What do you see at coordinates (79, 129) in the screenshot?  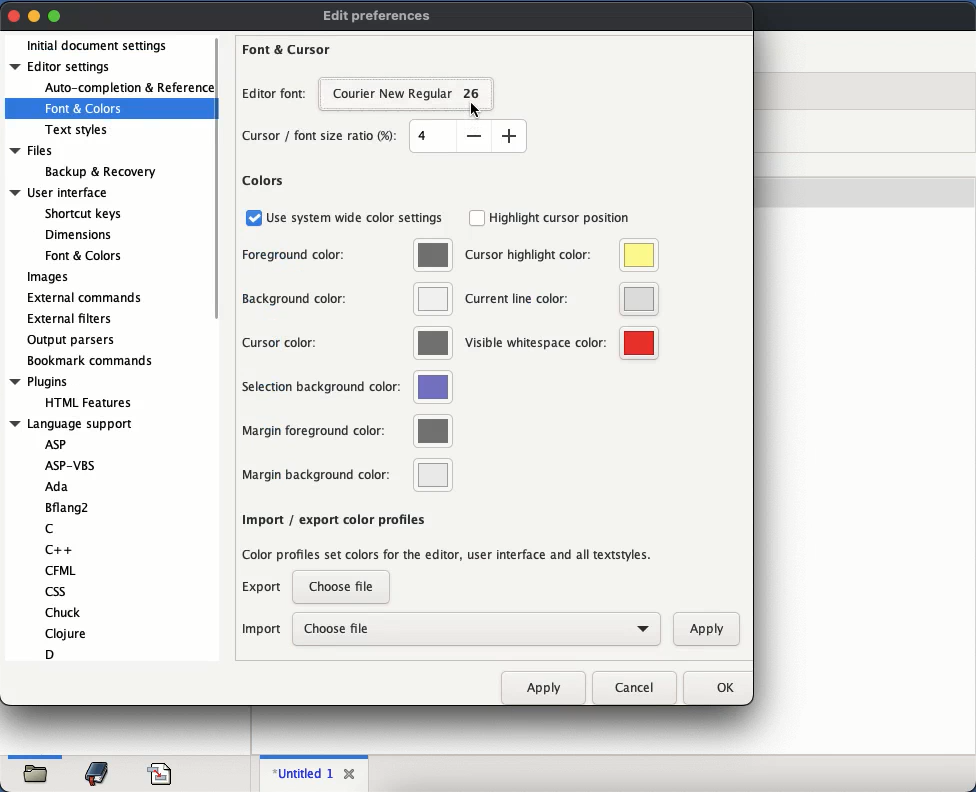 I see `text styles` at bounding box center [79, 129].